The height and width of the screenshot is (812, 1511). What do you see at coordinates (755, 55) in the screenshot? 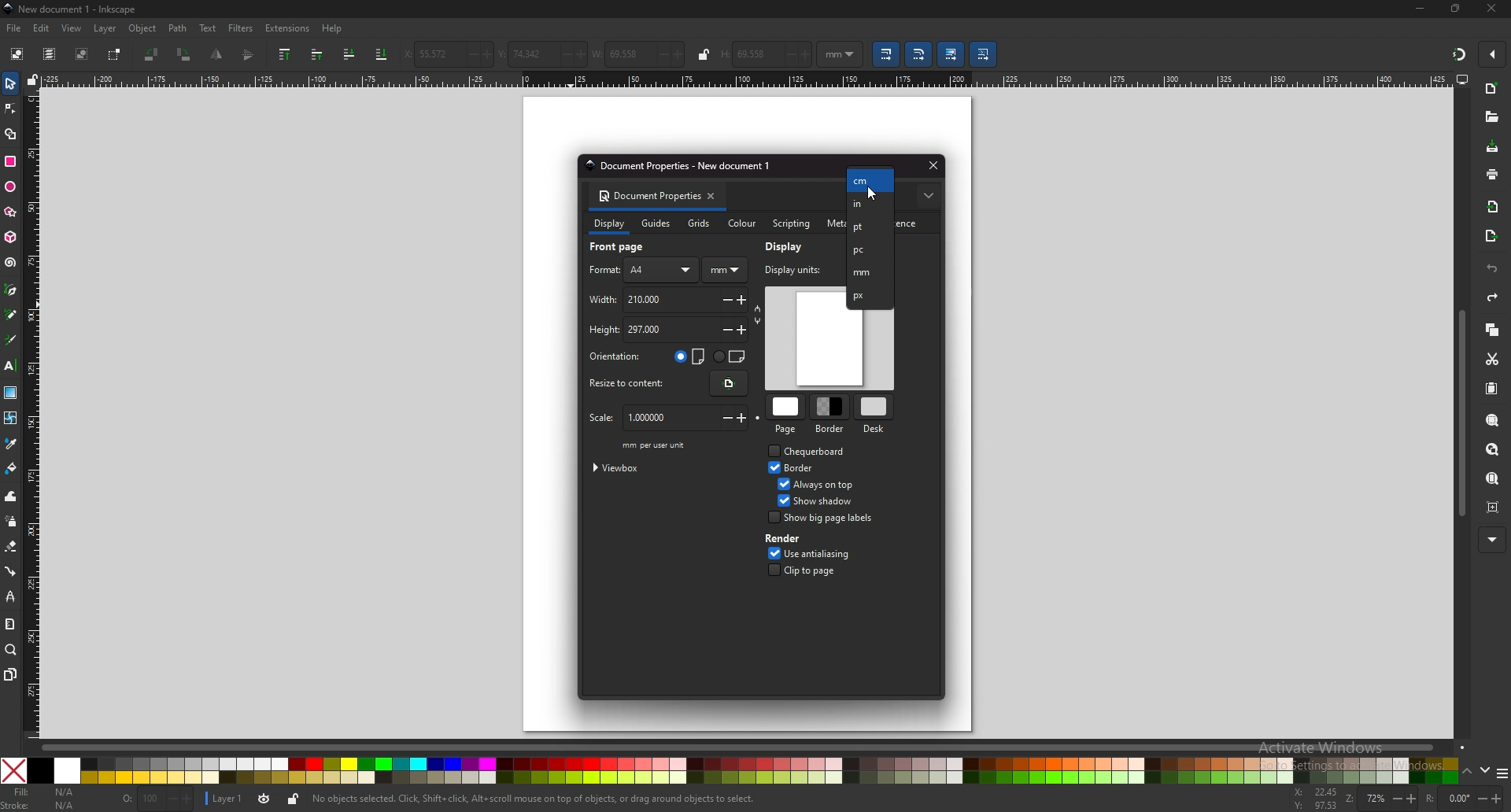
I see `69.558` at bounding box center [755, 55].